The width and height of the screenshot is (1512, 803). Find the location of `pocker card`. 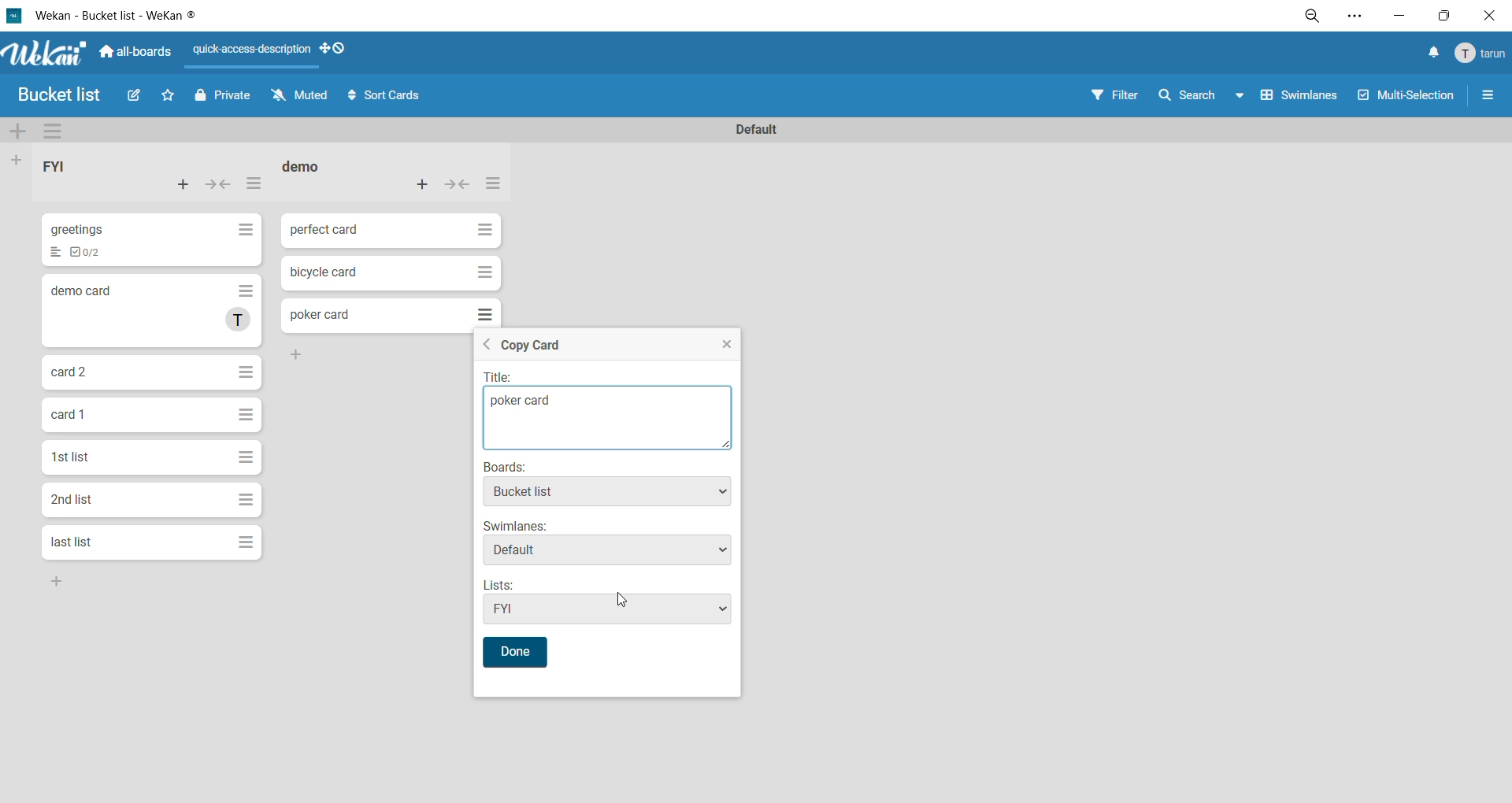

pocker card is located at coordinates (607, 420).